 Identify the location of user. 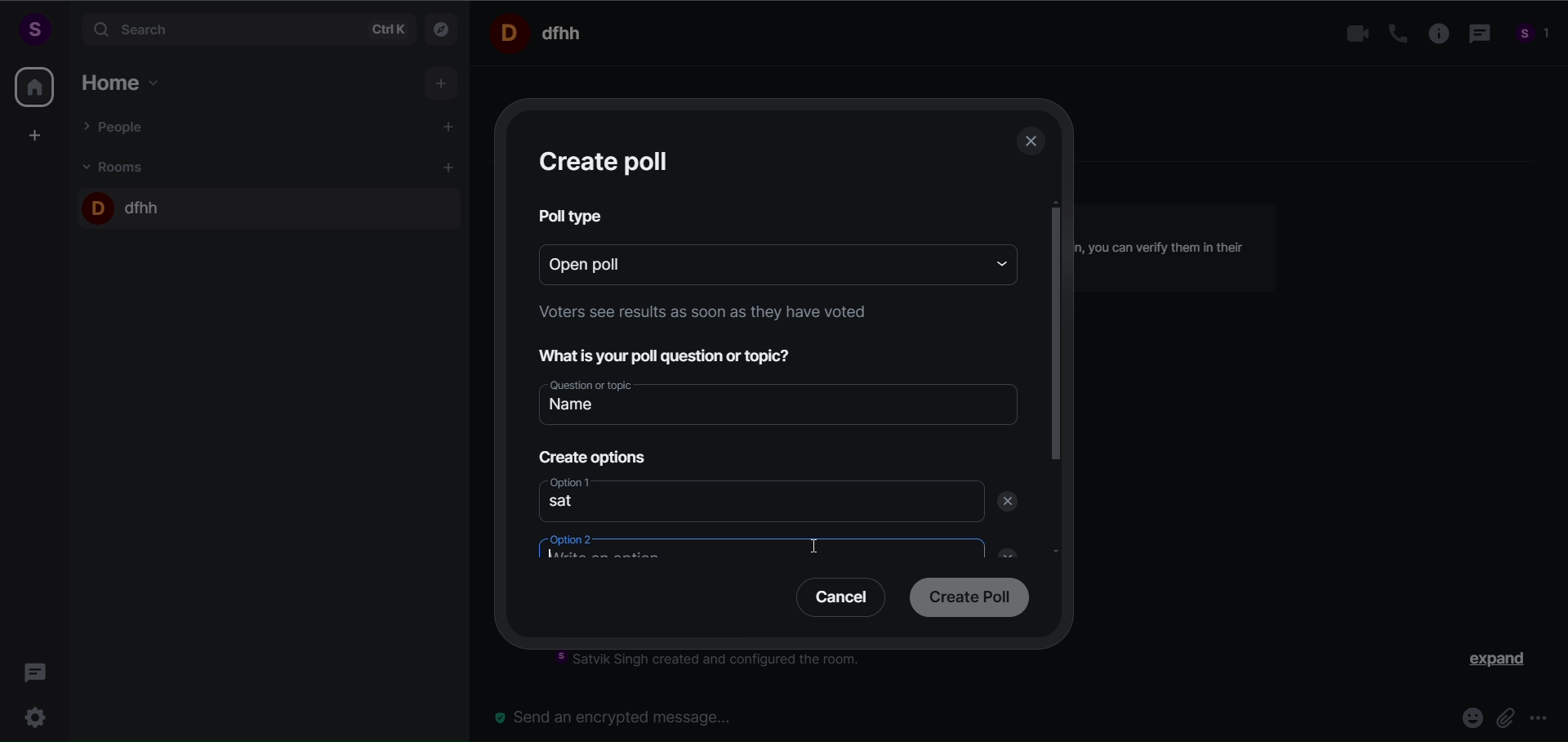
(33, 29).